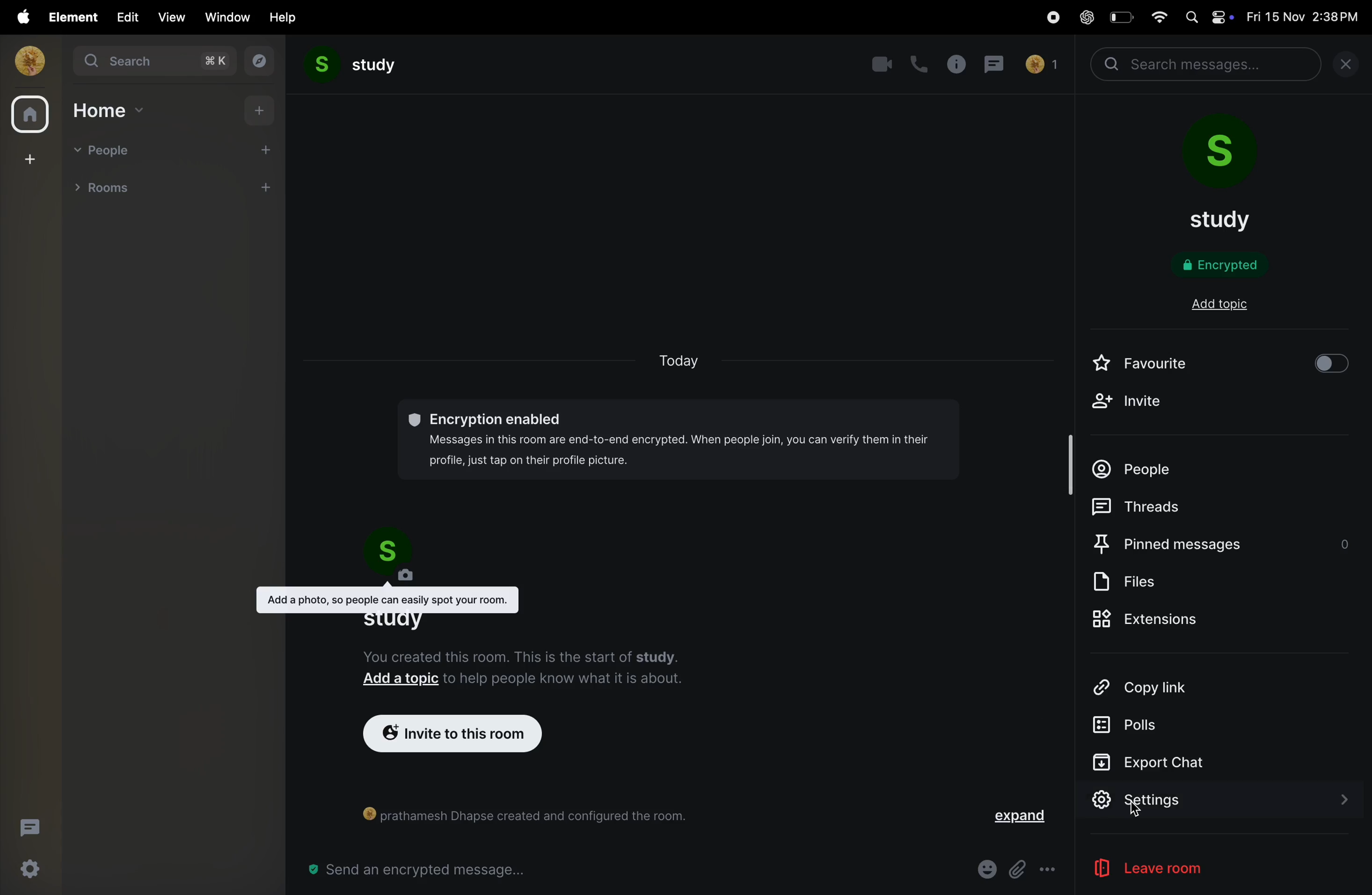 This screenshot has height=895, width=1372. What do you see at coordinates (1224, 305) in the screenshot?
I see `add topi` at bounding box center [1224, 305].